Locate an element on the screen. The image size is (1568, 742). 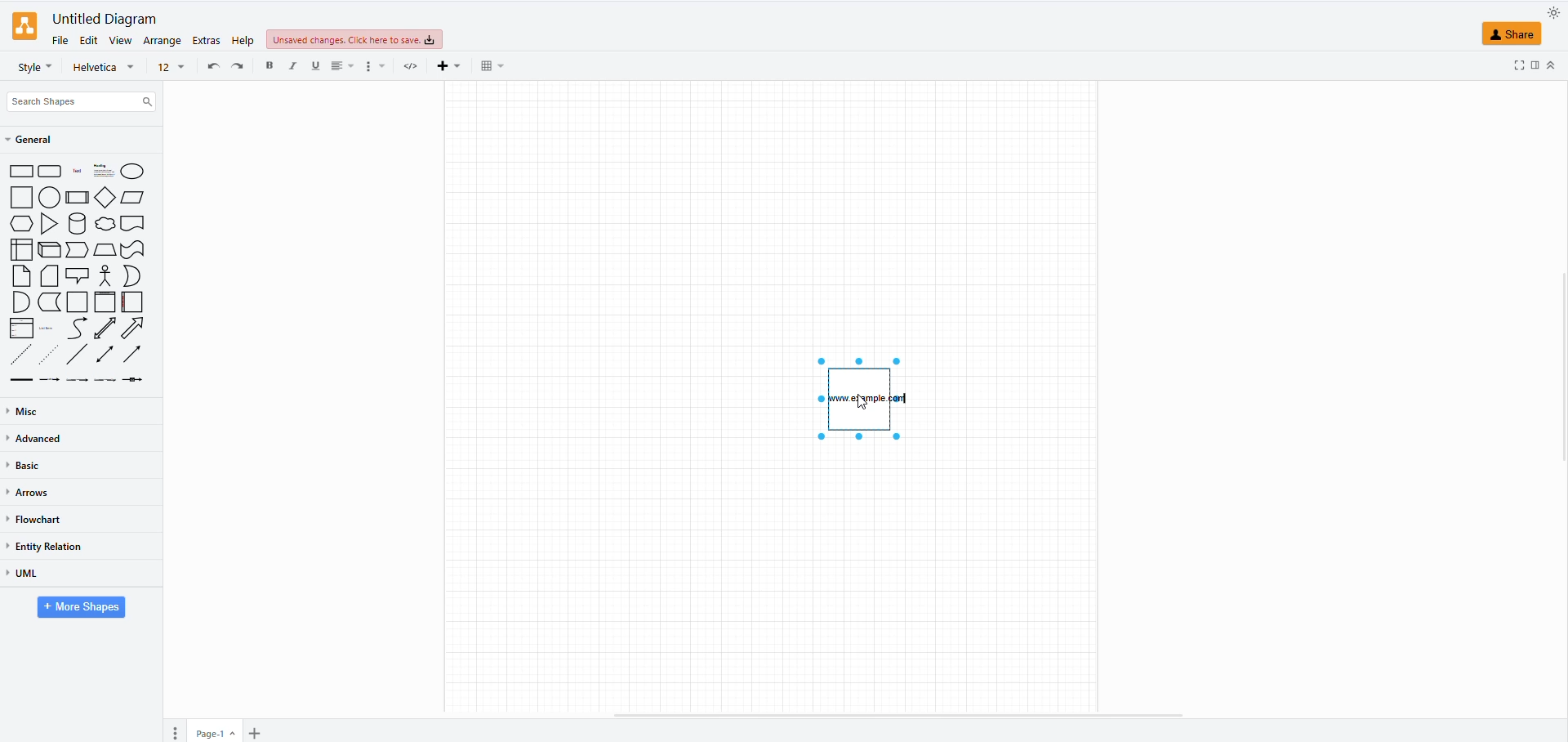
cylinder is located at coordinates (78, 226).